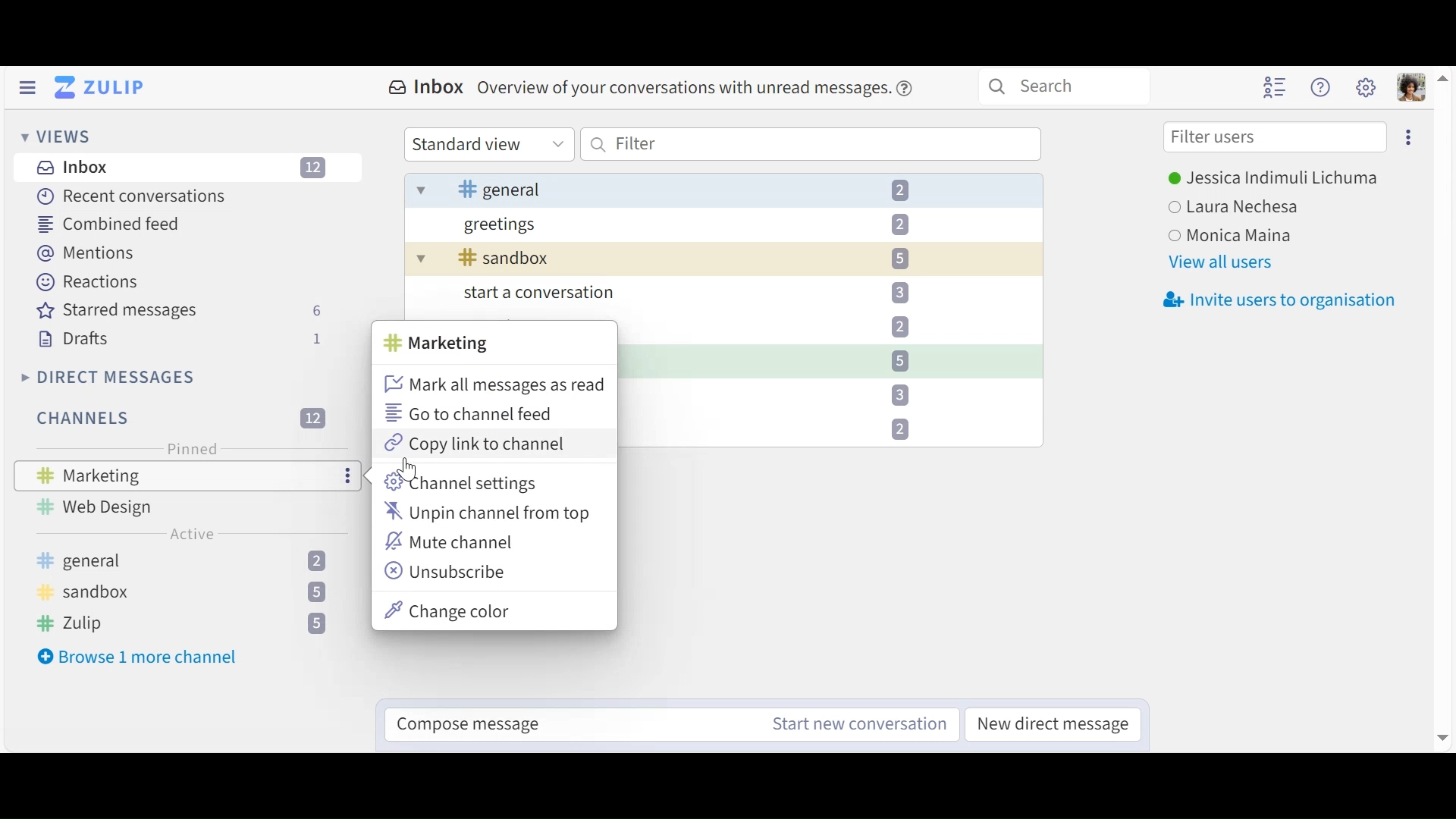  I want to click on Hide left Sidebar, so click(29, 87).